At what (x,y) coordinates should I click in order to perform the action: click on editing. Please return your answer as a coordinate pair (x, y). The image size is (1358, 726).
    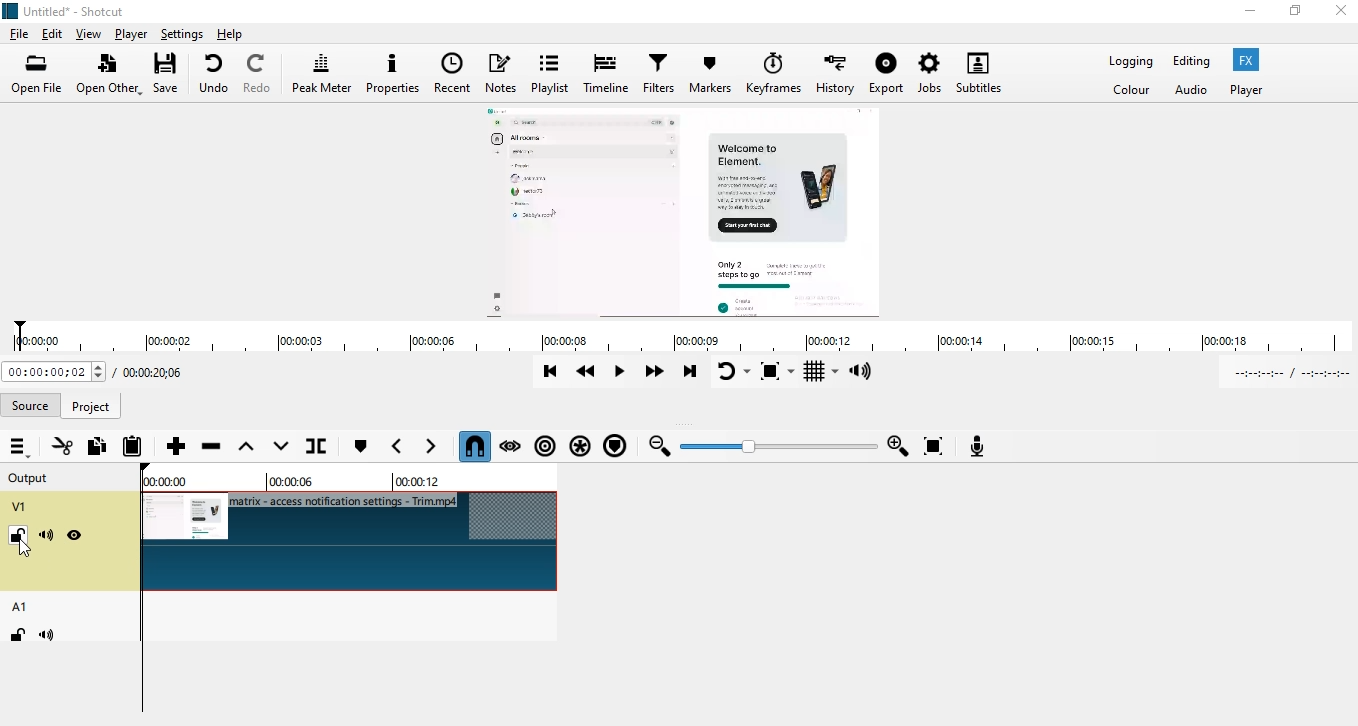
    Looking at the image, I should click on (1194, 62).